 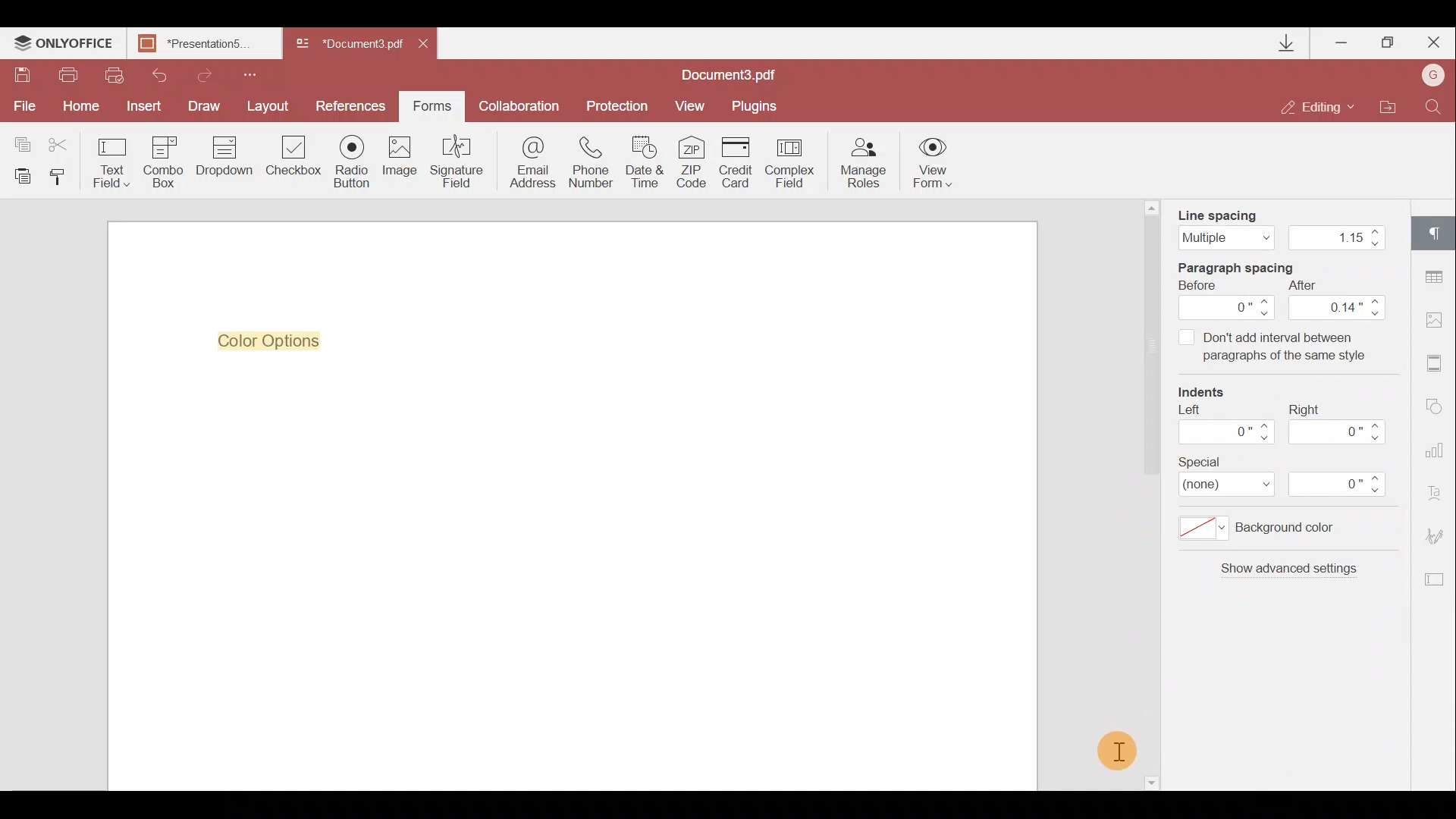 I want to click on Preferences, so click(x=352, y=106).